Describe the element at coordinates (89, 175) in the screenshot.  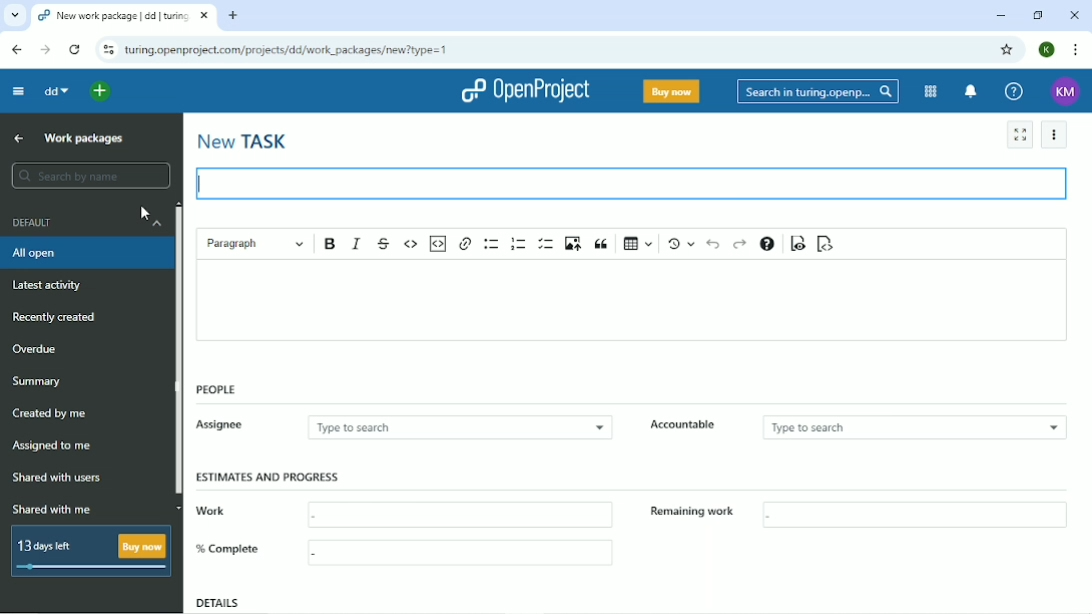
I see `search by name` at that location.